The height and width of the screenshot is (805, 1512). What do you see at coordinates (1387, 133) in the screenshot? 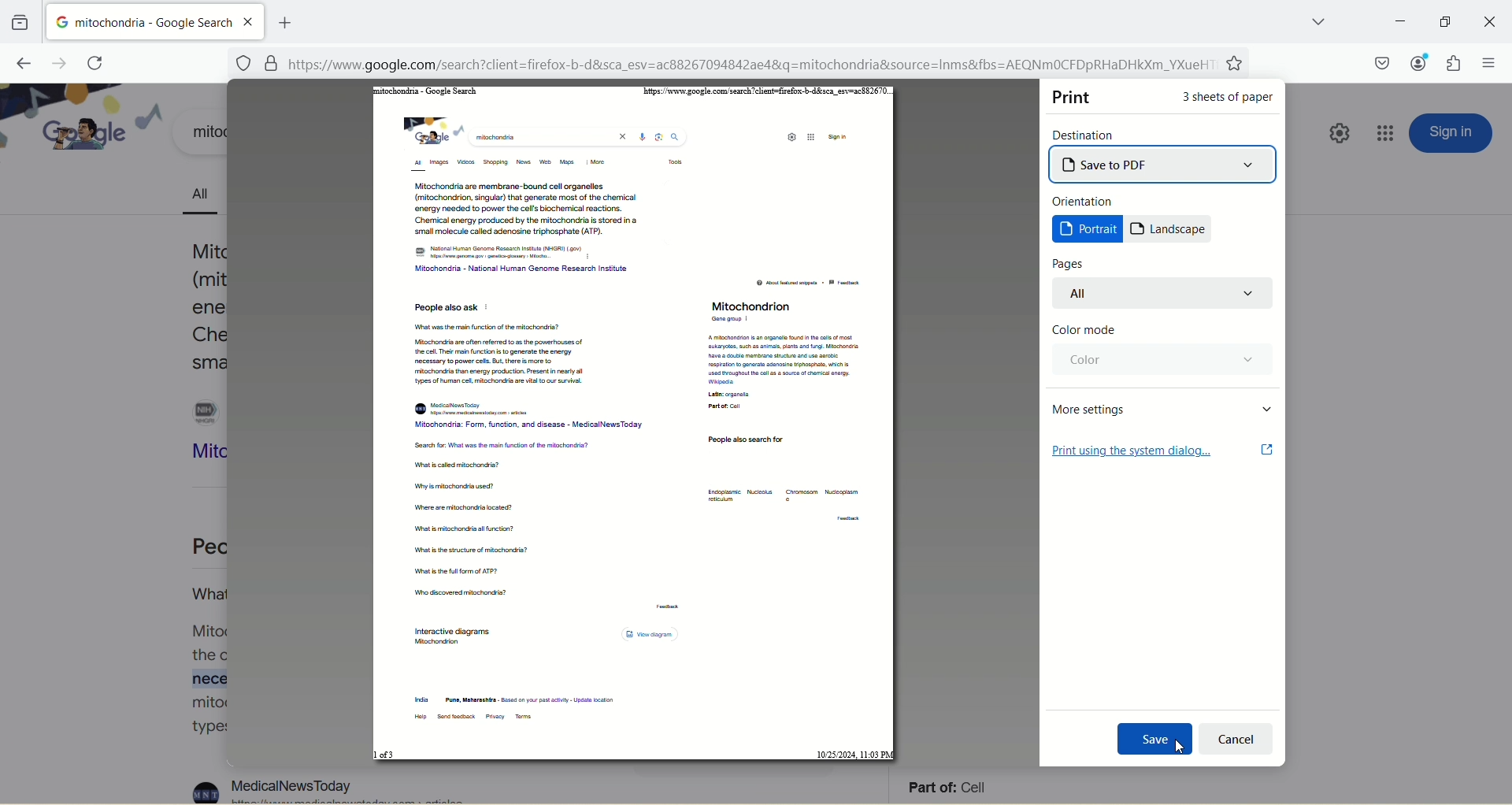
I see `google apps` at bounding box center [1387, 133].